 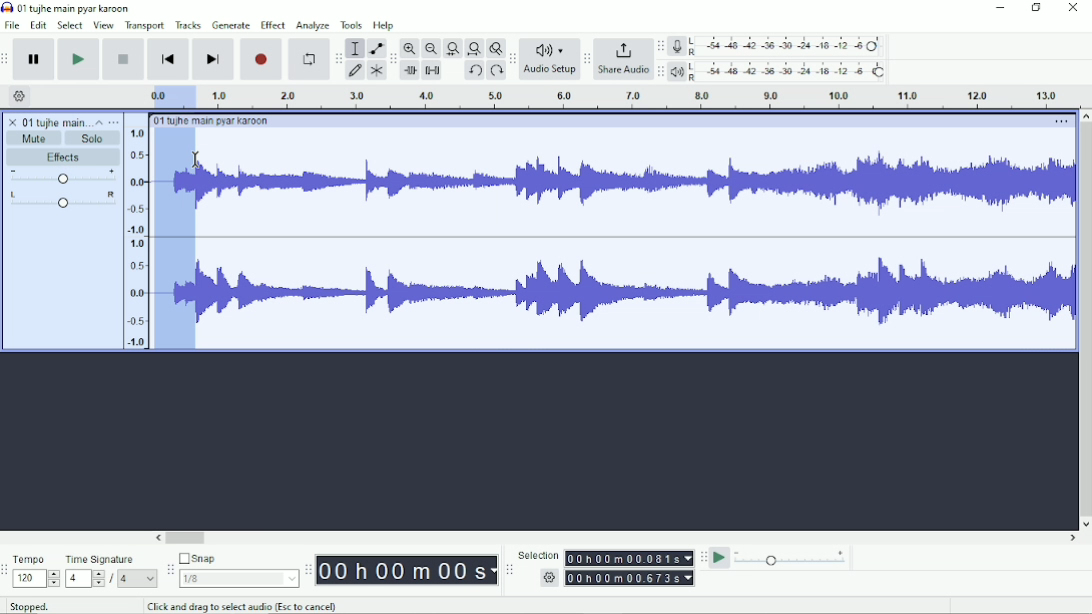 What do you see at coordinates (393, 60) in the screenshot?
I see `Audacity edit toolbar` at bounding box center [393, 60].